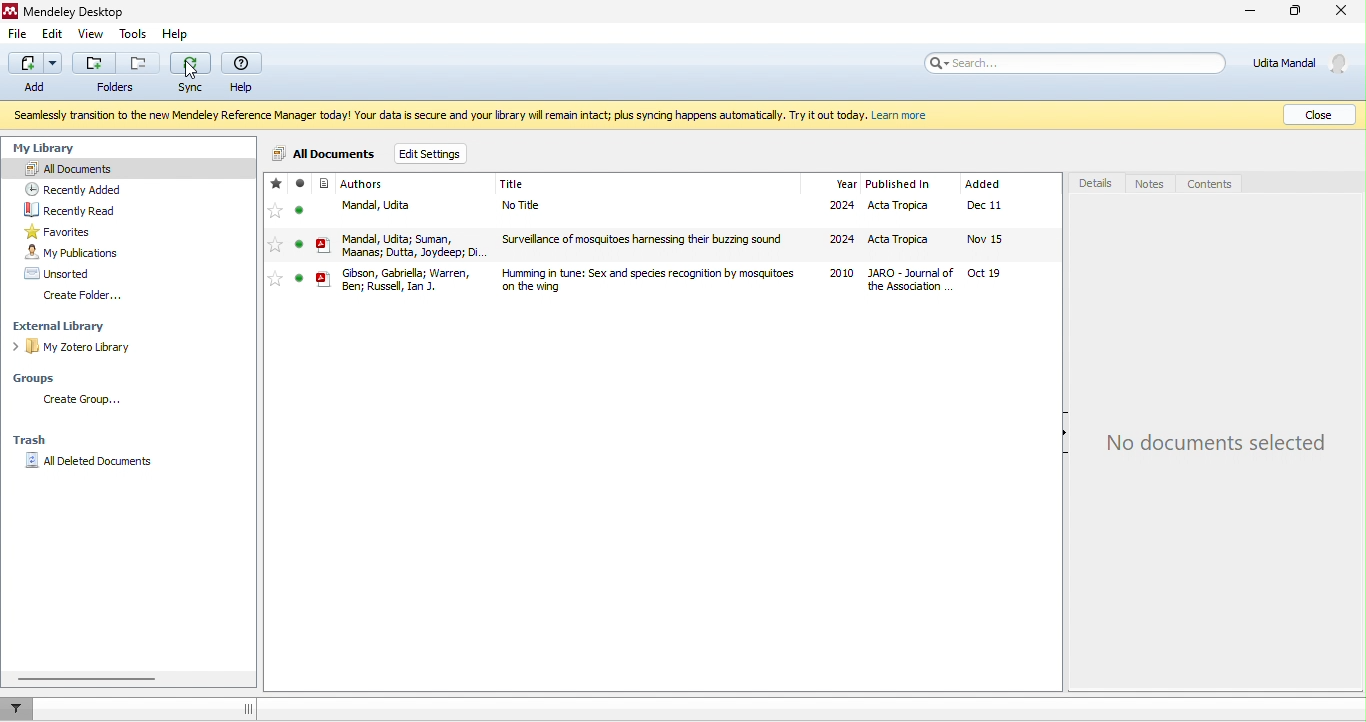 The image size is (1366, 722). Describe the element at coordinates (97, 462) in the screenshot. I see `all deleted documents` at that location.